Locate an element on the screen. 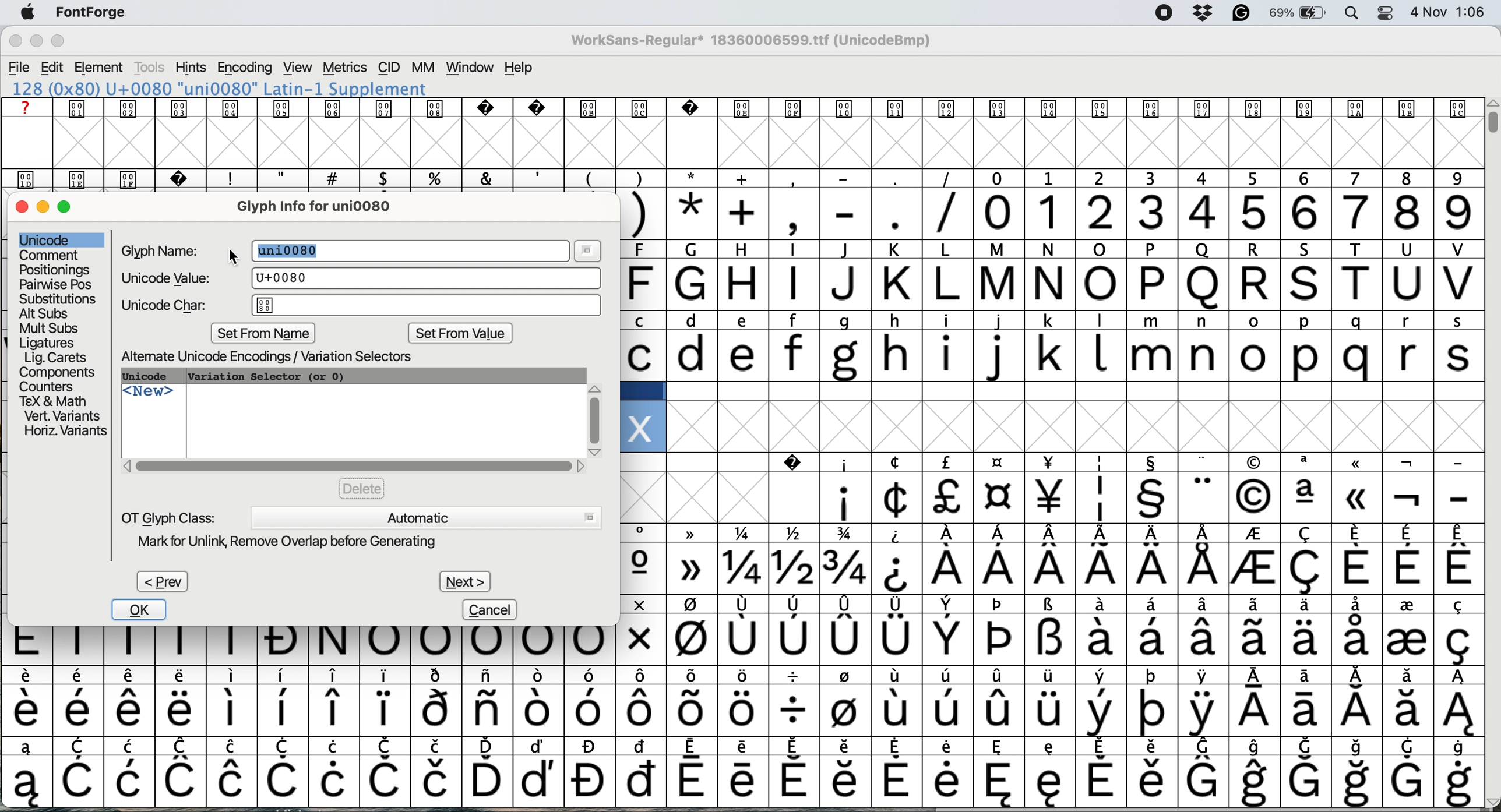 Image resolution: width=1501 pixels, height=812 pixels. substitutions is located at coordinates (59, 299).